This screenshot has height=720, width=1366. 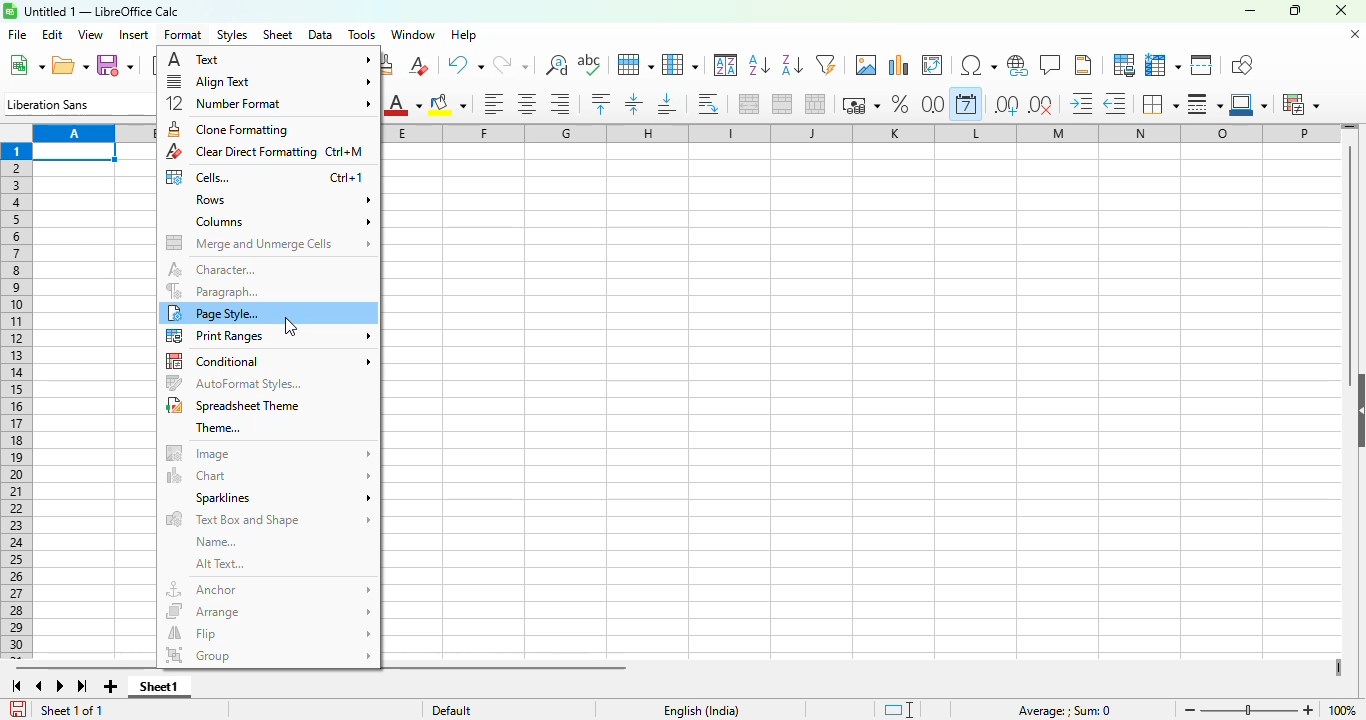 I want to click on theme, so click(x=218, y=428).